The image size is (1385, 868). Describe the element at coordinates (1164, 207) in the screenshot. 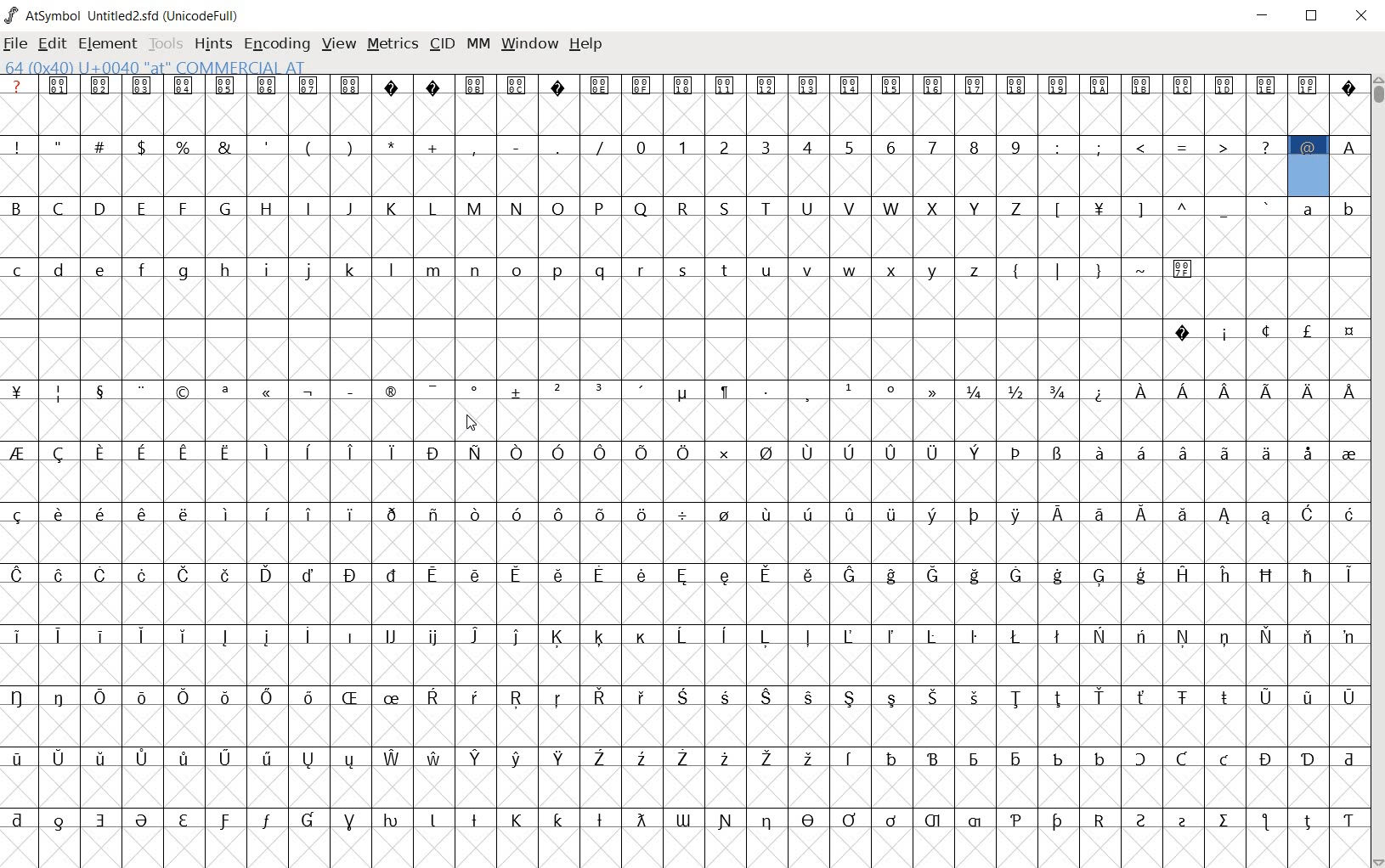

I see `special characters` at that location.